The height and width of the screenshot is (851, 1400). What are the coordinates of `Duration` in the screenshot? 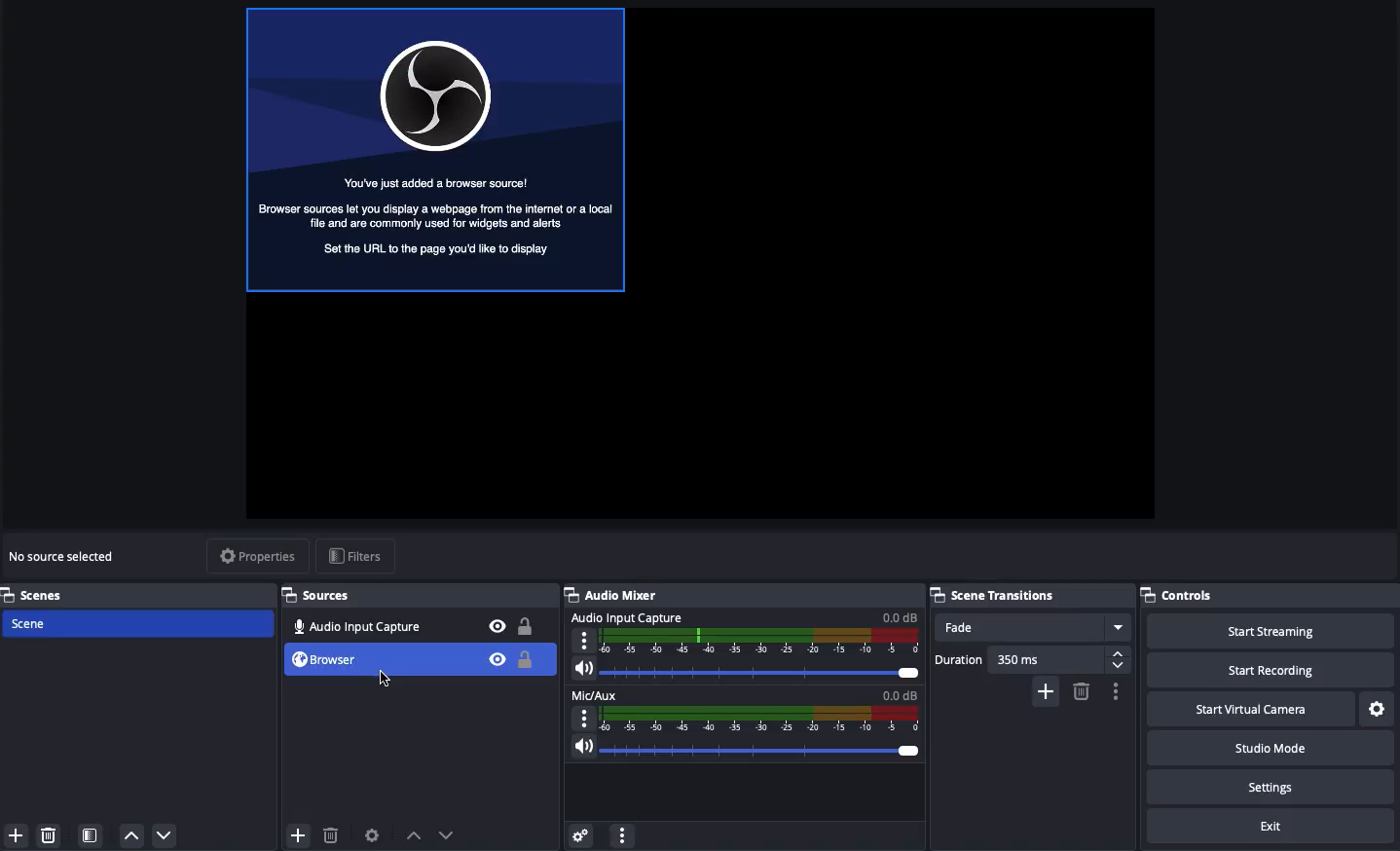 It's located at (1032, 659).